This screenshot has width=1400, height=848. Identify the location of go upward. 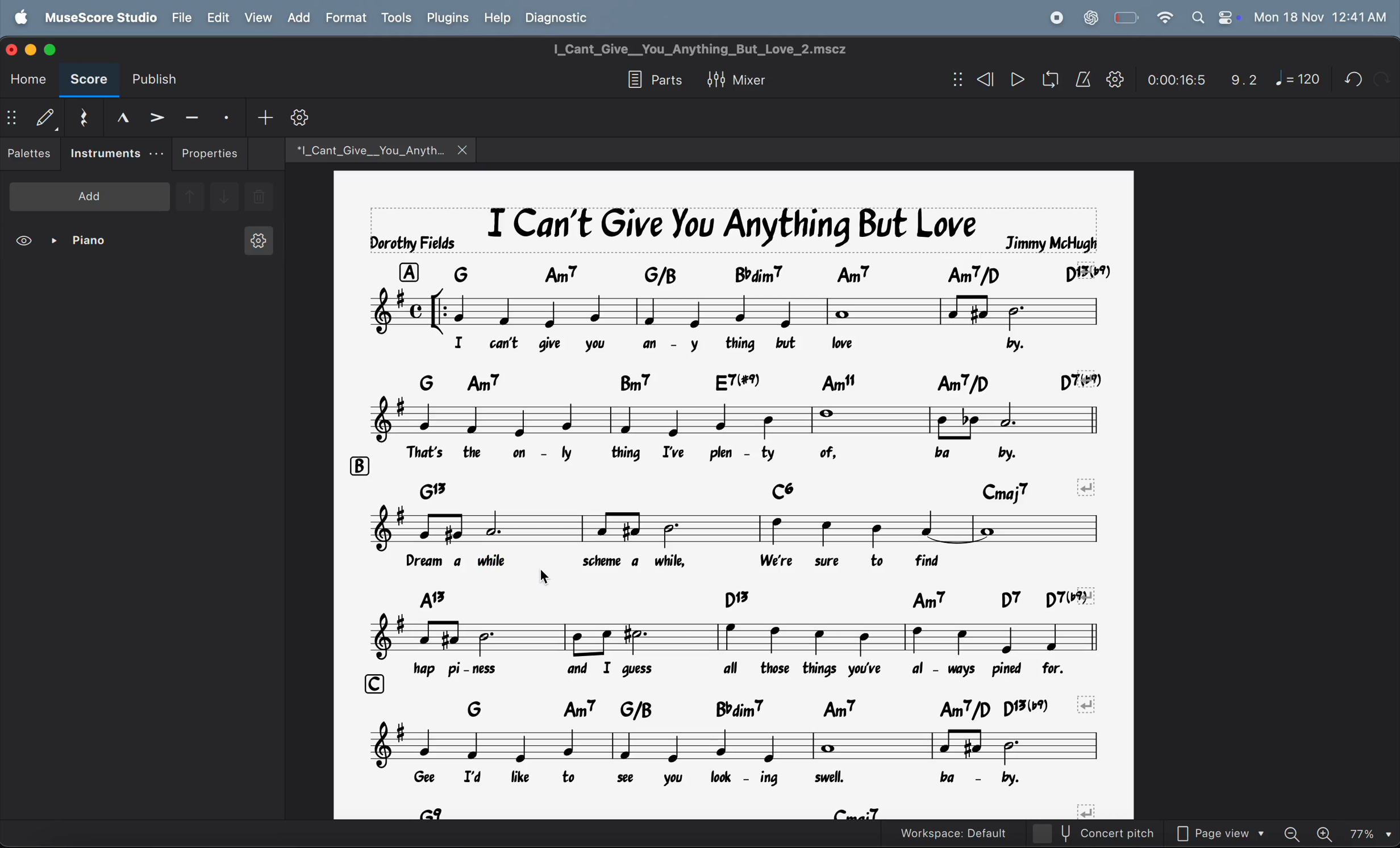
(190, 195).